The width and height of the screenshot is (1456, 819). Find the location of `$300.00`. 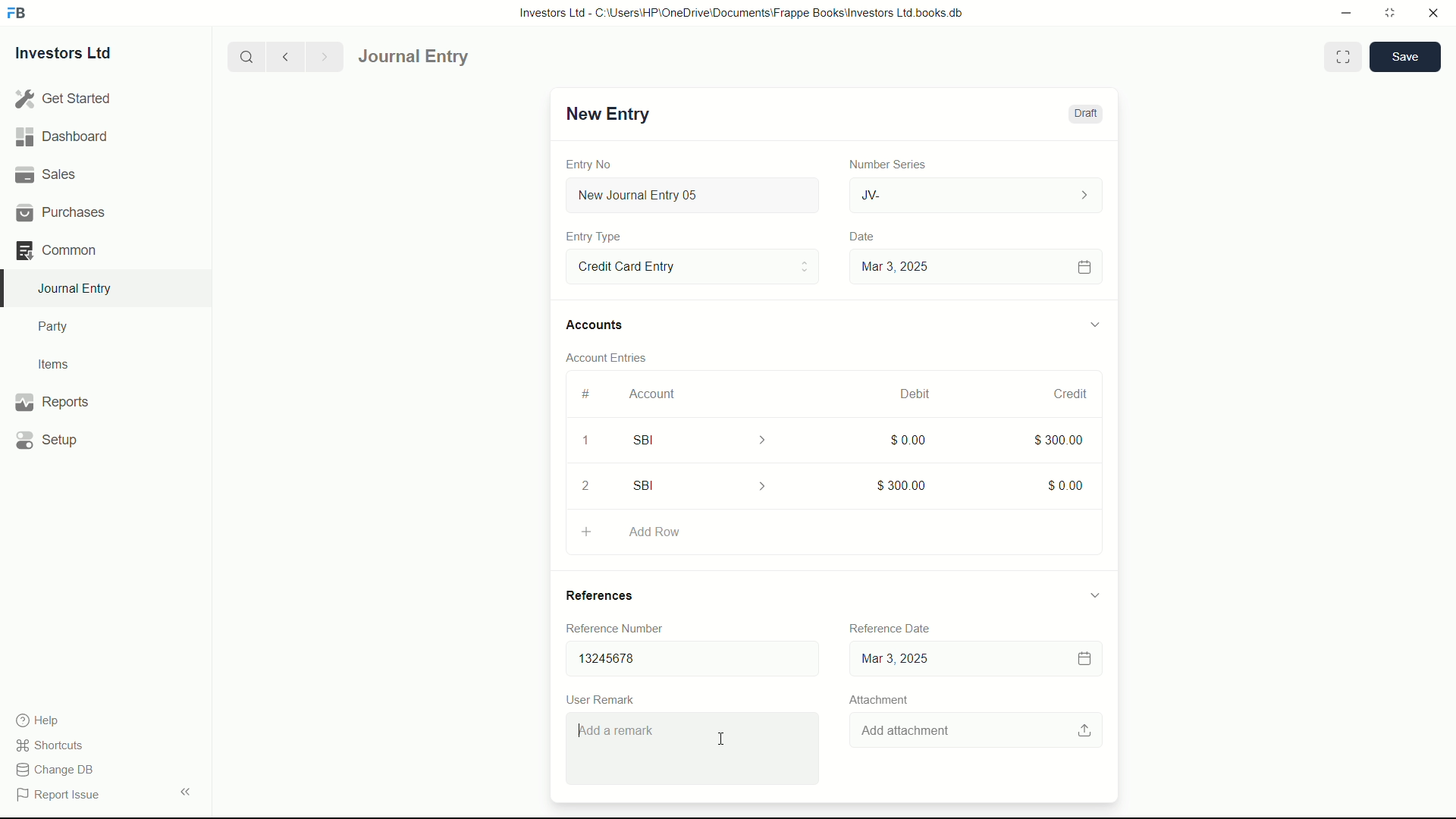

$300.00 is located at coordinates (902, 482).